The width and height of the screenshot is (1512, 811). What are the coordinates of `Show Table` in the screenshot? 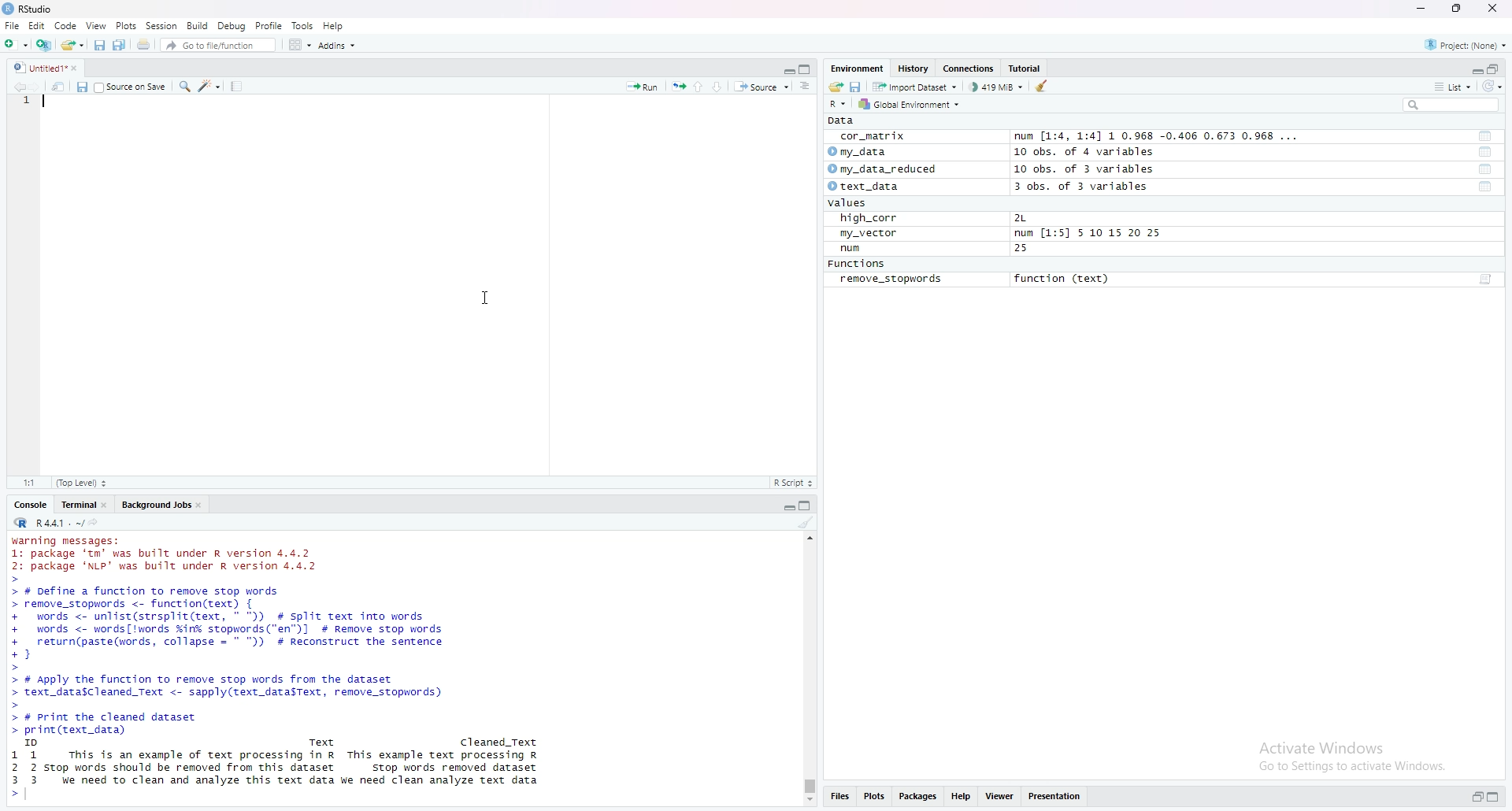 It's located at (1486, 188).